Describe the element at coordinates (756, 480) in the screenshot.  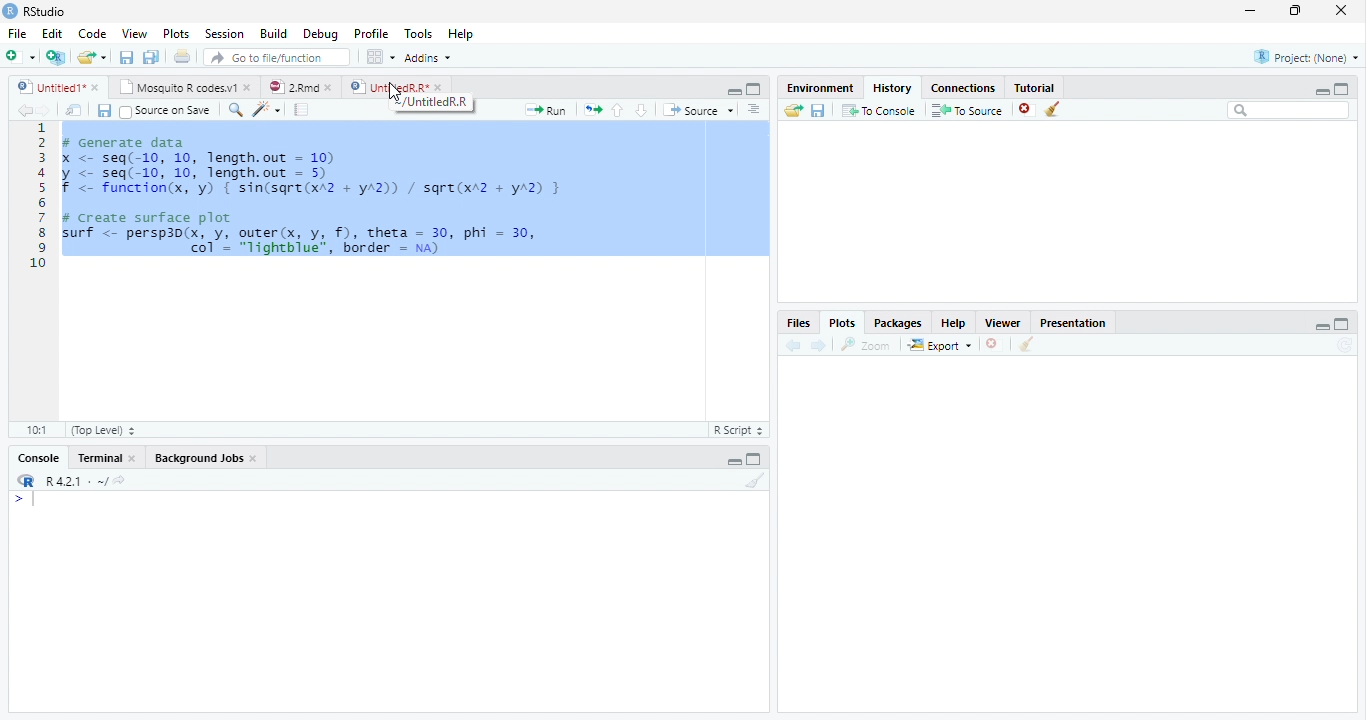
I see `Clear console` at that location.